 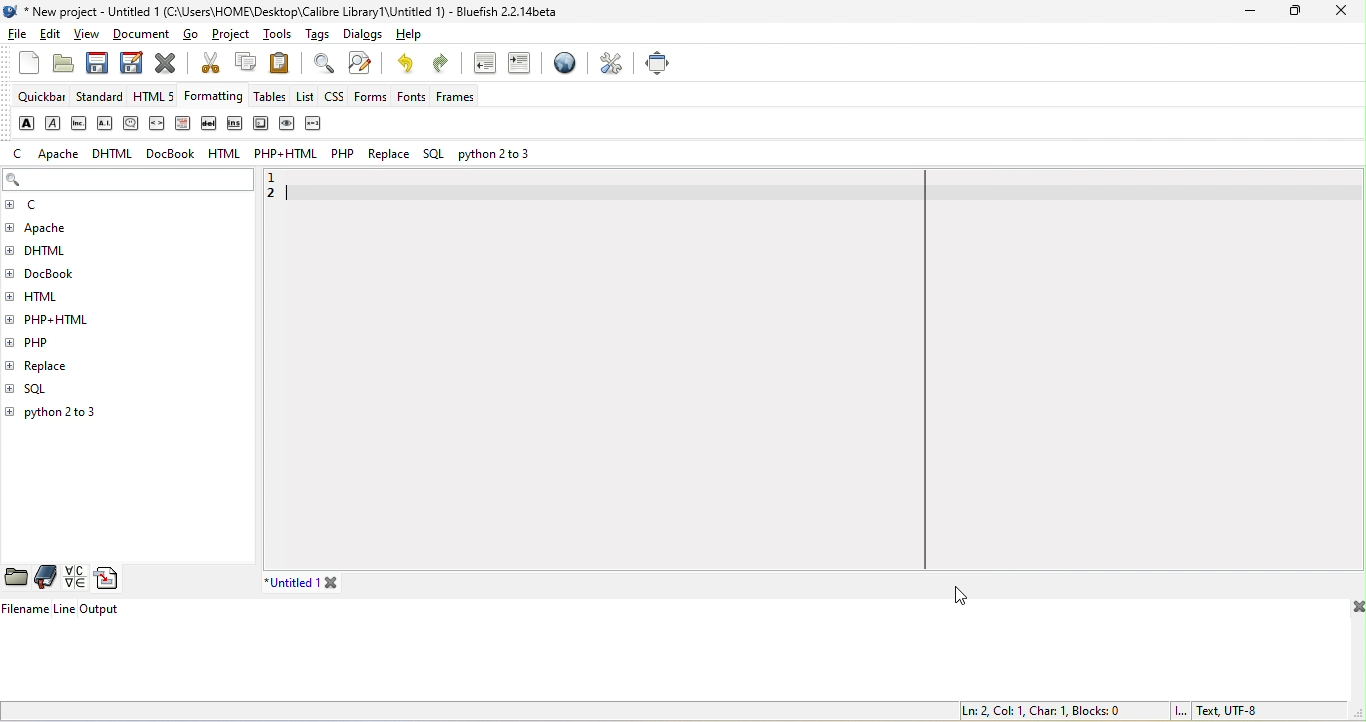 What do you see at coordinates (115, 152) in the screenshot?
I see `dhtml` at bounding box center [115, 152].